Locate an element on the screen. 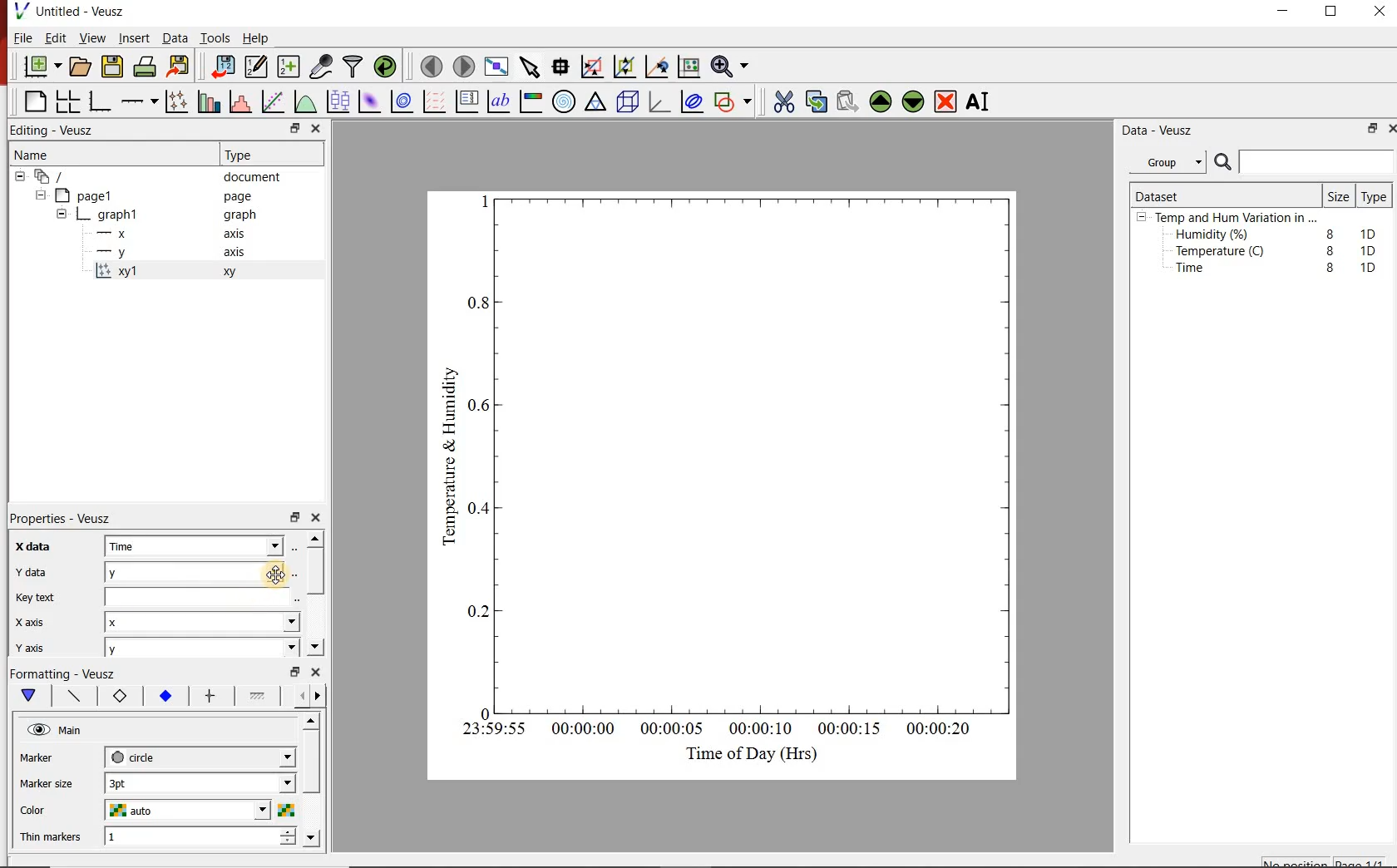 This screenshot has width=1397, height=868. Marker size dropdown is located at coordinates (249, 784).